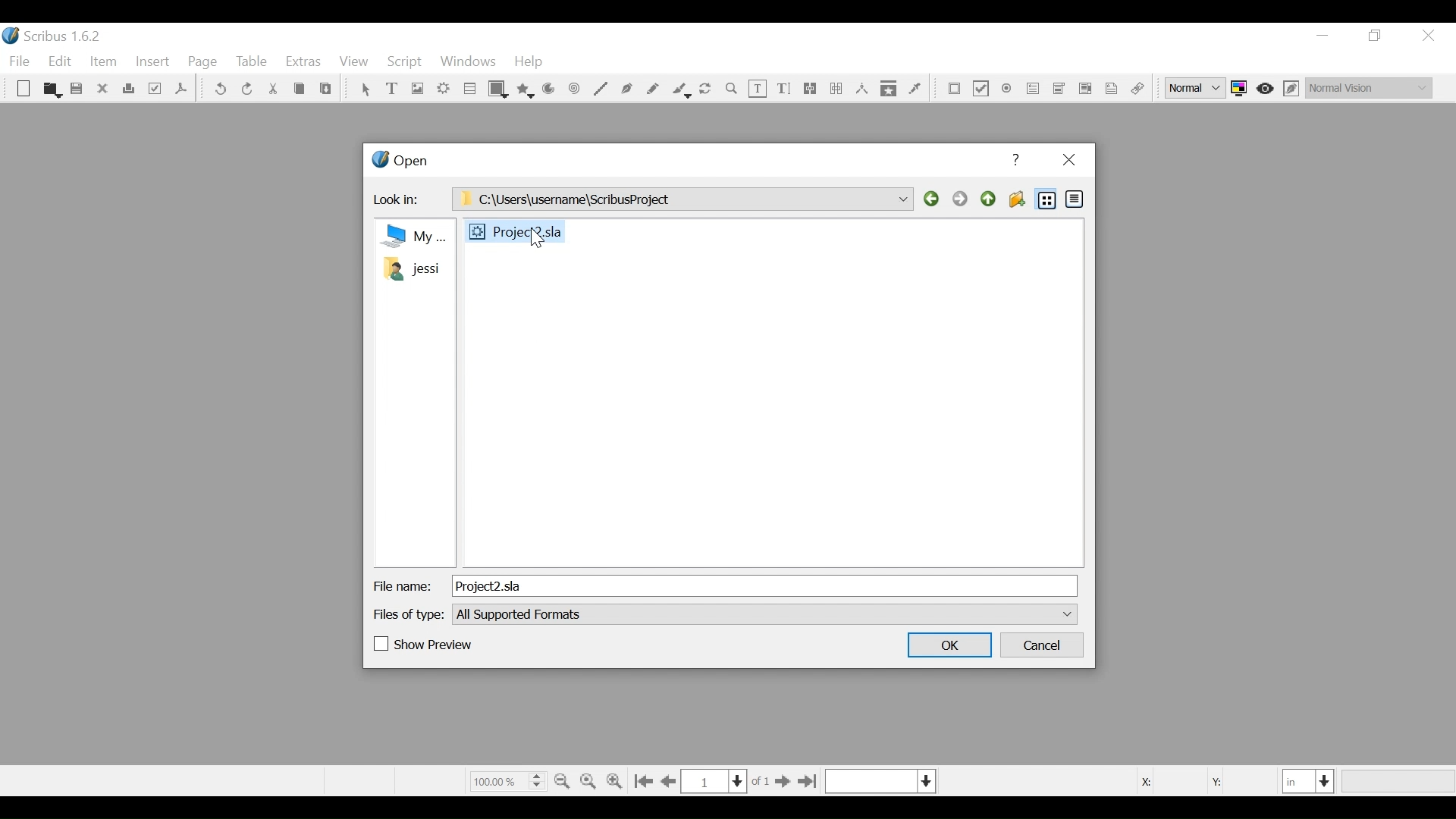 The width and height of the screenshot is (1456, 819). Describe the element at coordinates (253, 63) in the screenshot. I see `Table` at that location.